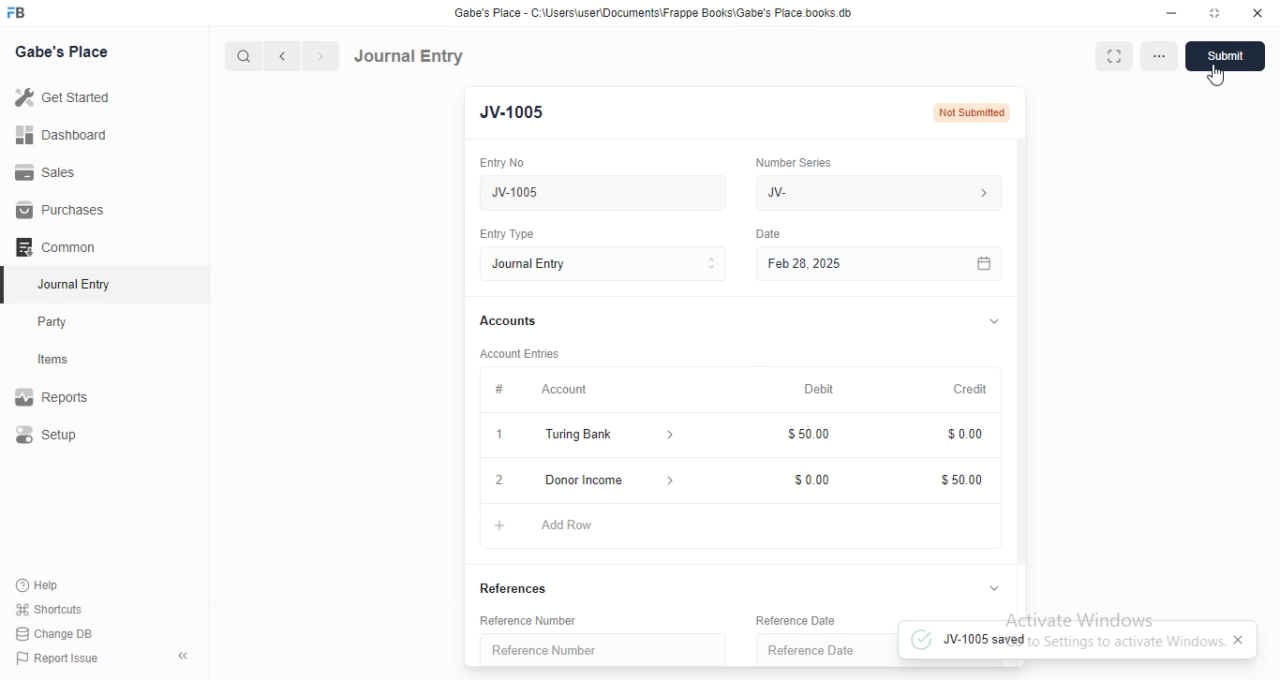 The height and width of the screenshot is (680, 1280). What do you see at coordinates (600, 648) in the screenshot?
I see `Reference Number` at bounding box center [600, 648].